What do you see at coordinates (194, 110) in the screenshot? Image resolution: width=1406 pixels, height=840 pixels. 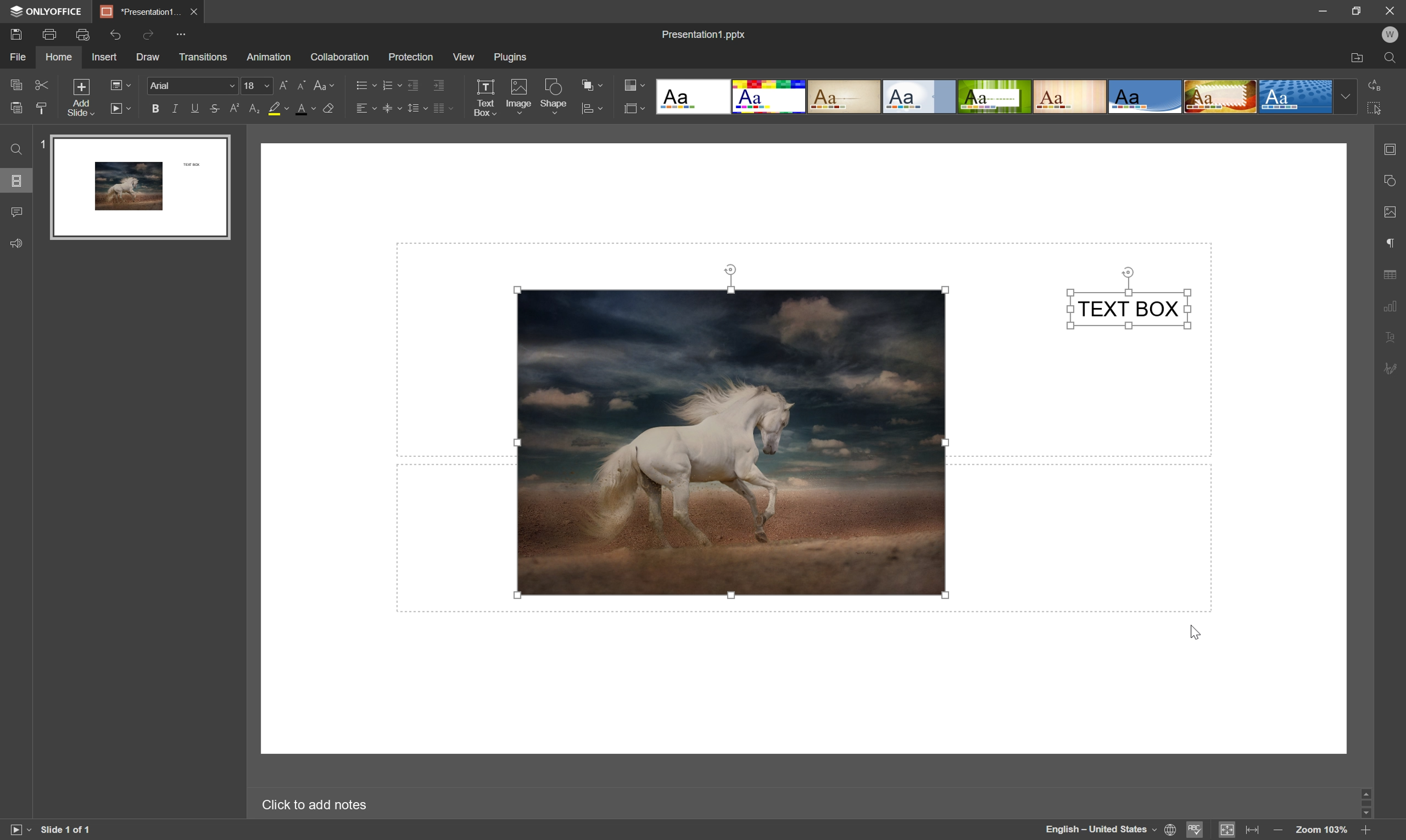 I see `underline` at bounding box center [194, 110].